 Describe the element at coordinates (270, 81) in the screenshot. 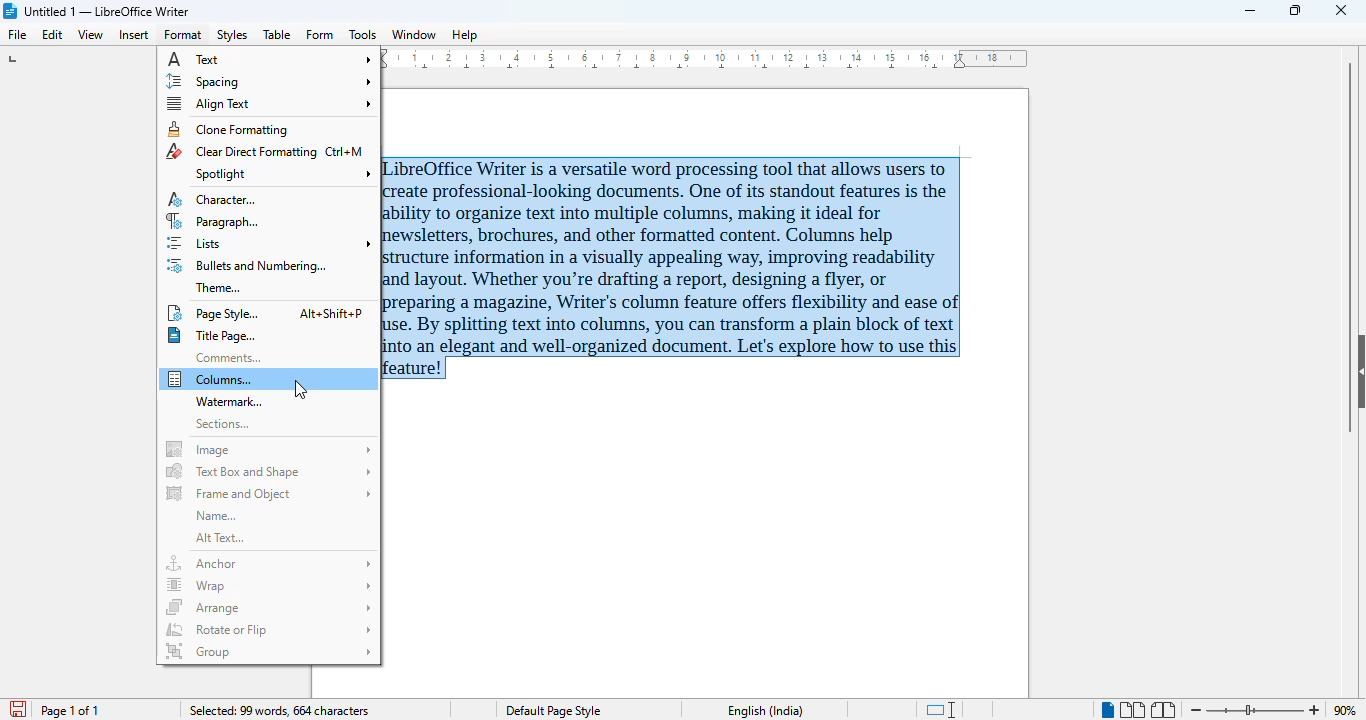

I see `spacing` at that location.